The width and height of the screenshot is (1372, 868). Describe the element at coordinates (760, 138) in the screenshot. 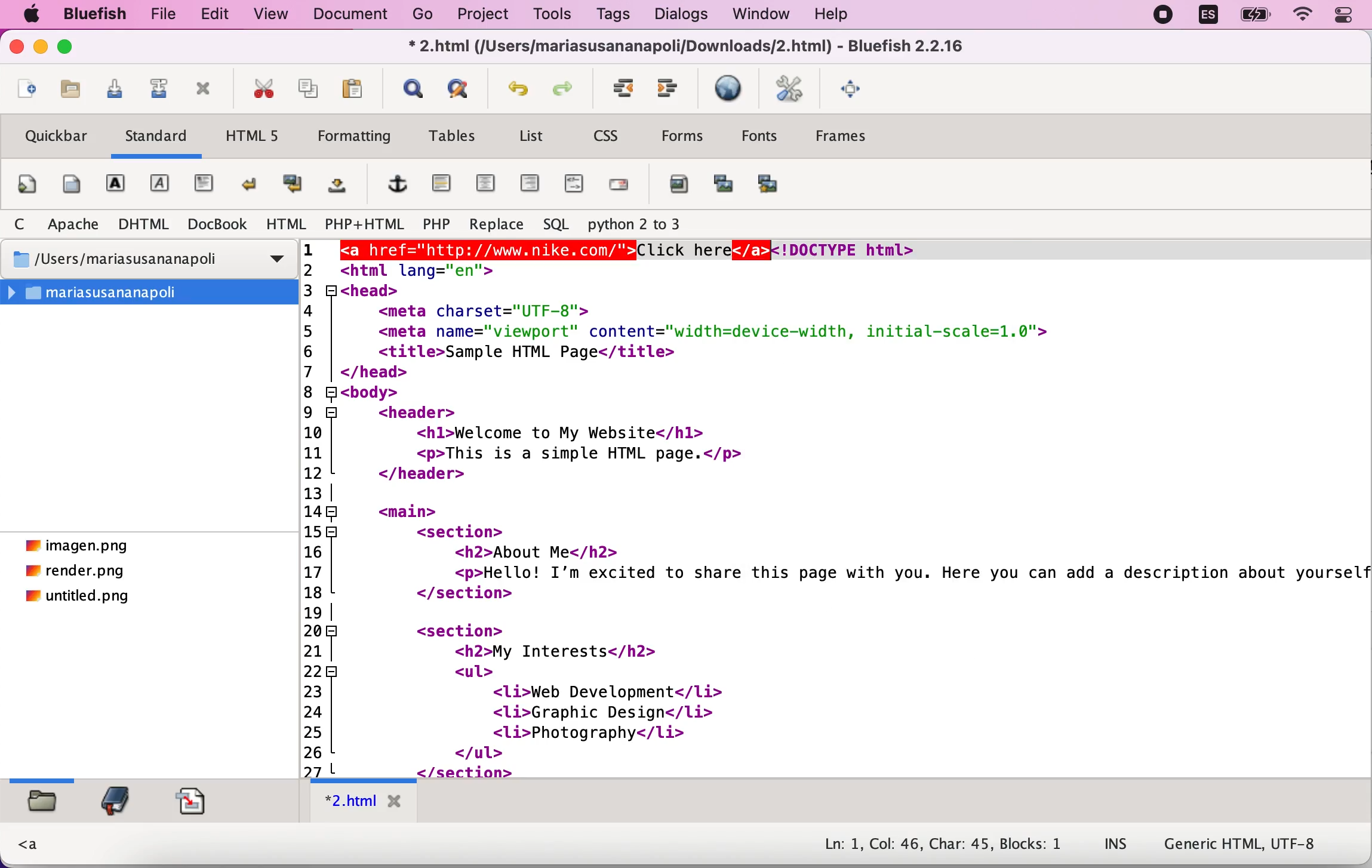

I see `fonts` at that location.